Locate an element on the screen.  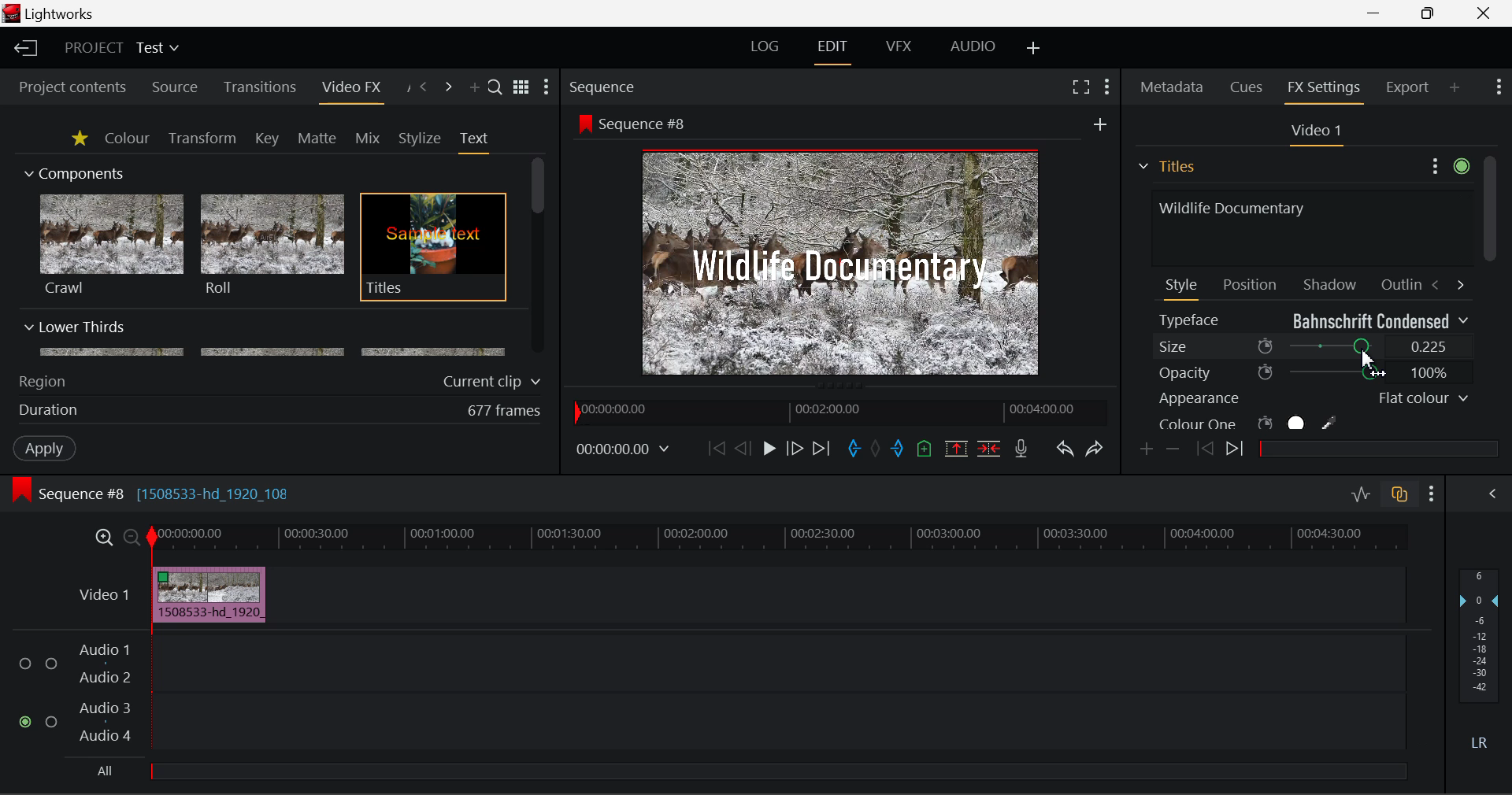
Mix is located at coordinates (367, 139).